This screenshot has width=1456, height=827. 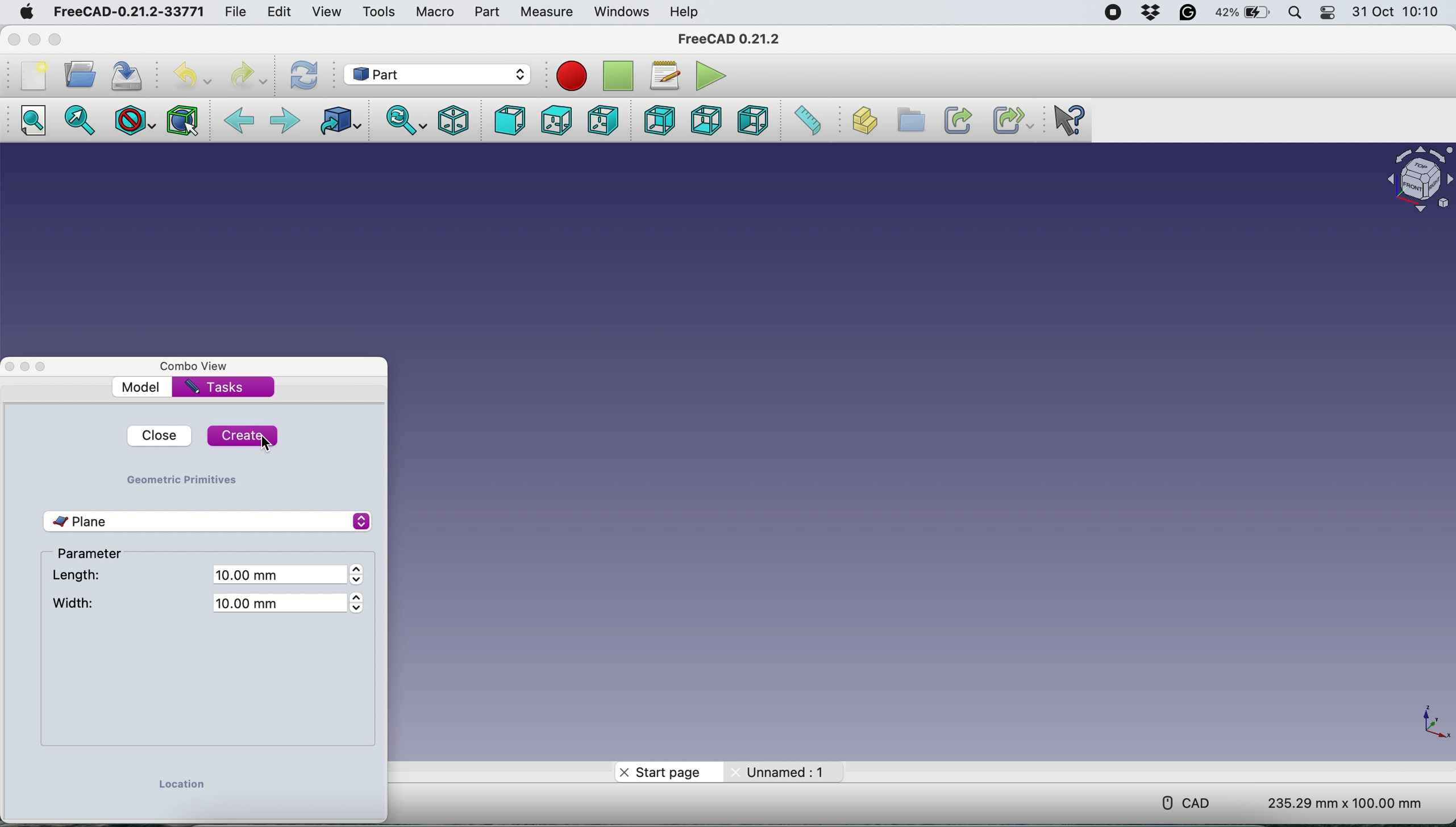 I want to click on cursor, so click(x=266, y=446).